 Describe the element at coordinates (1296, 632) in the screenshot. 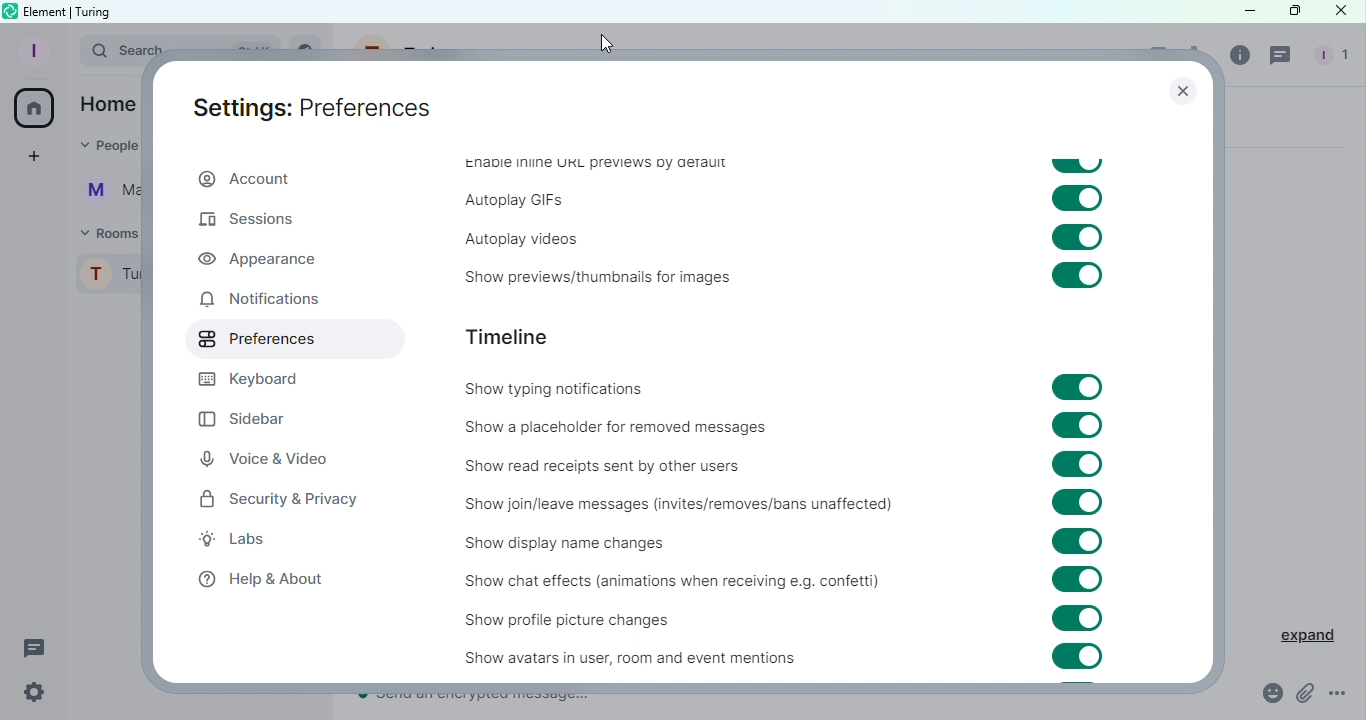

I see `Expand` at that location.